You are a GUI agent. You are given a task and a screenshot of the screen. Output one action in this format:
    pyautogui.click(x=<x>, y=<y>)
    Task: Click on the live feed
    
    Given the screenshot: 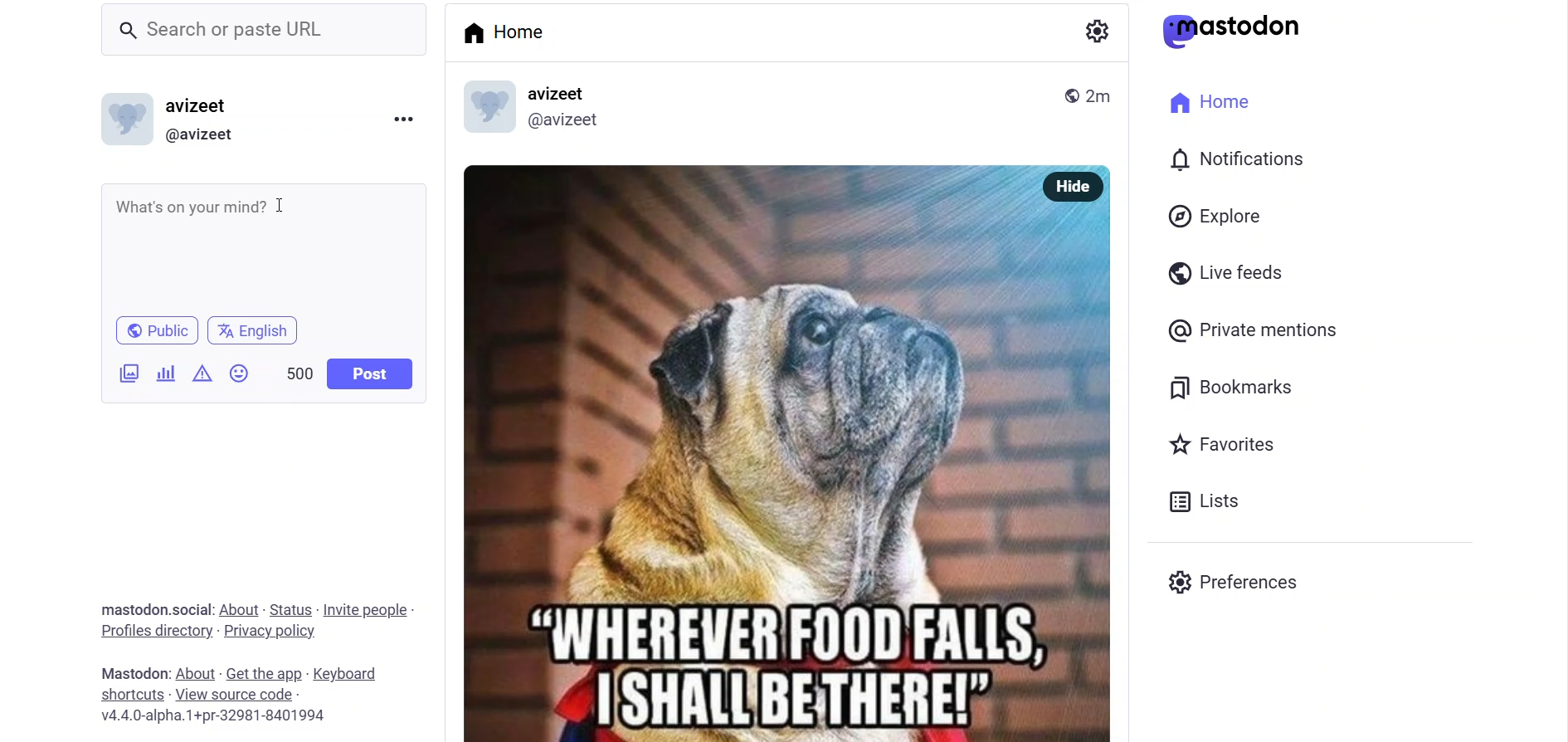 What is the action you would take?
    pyautogui.click(x=1221, y=271)
    